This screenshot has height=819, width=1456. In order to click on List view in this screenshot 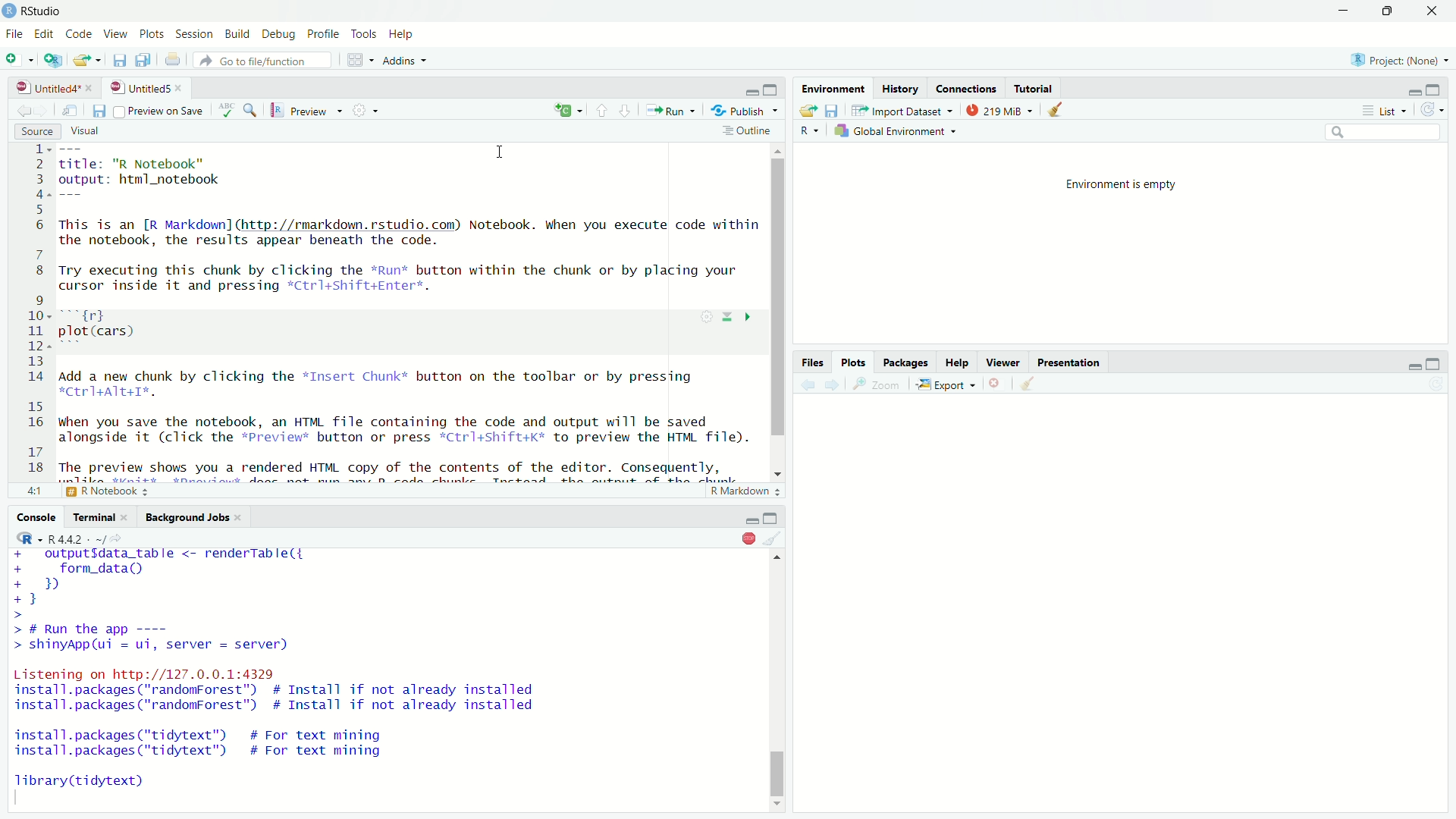, I will do `click(1384, 109)`.